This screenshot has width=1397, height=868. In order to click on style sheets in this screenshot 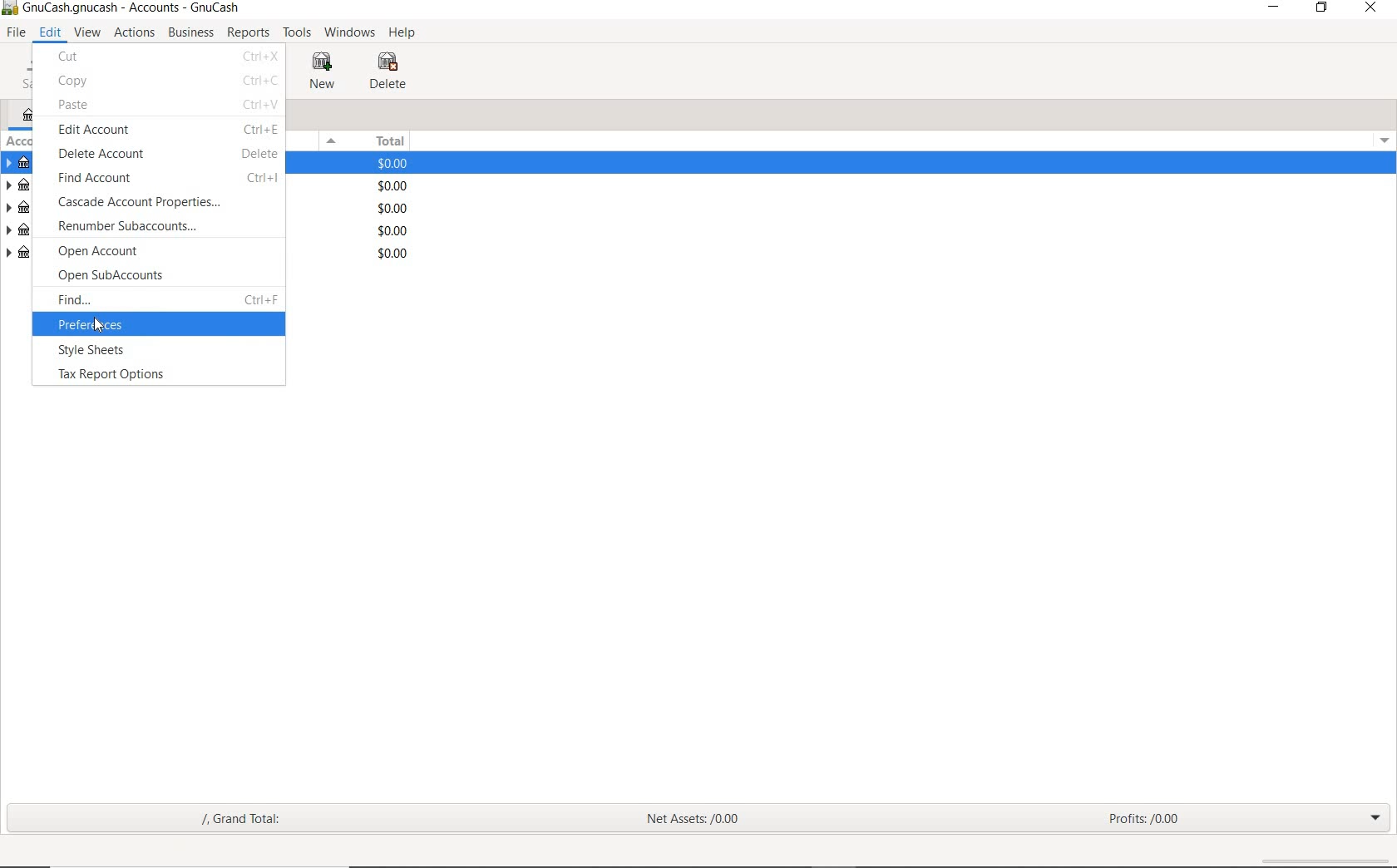, I will do `click(99, 351)`.